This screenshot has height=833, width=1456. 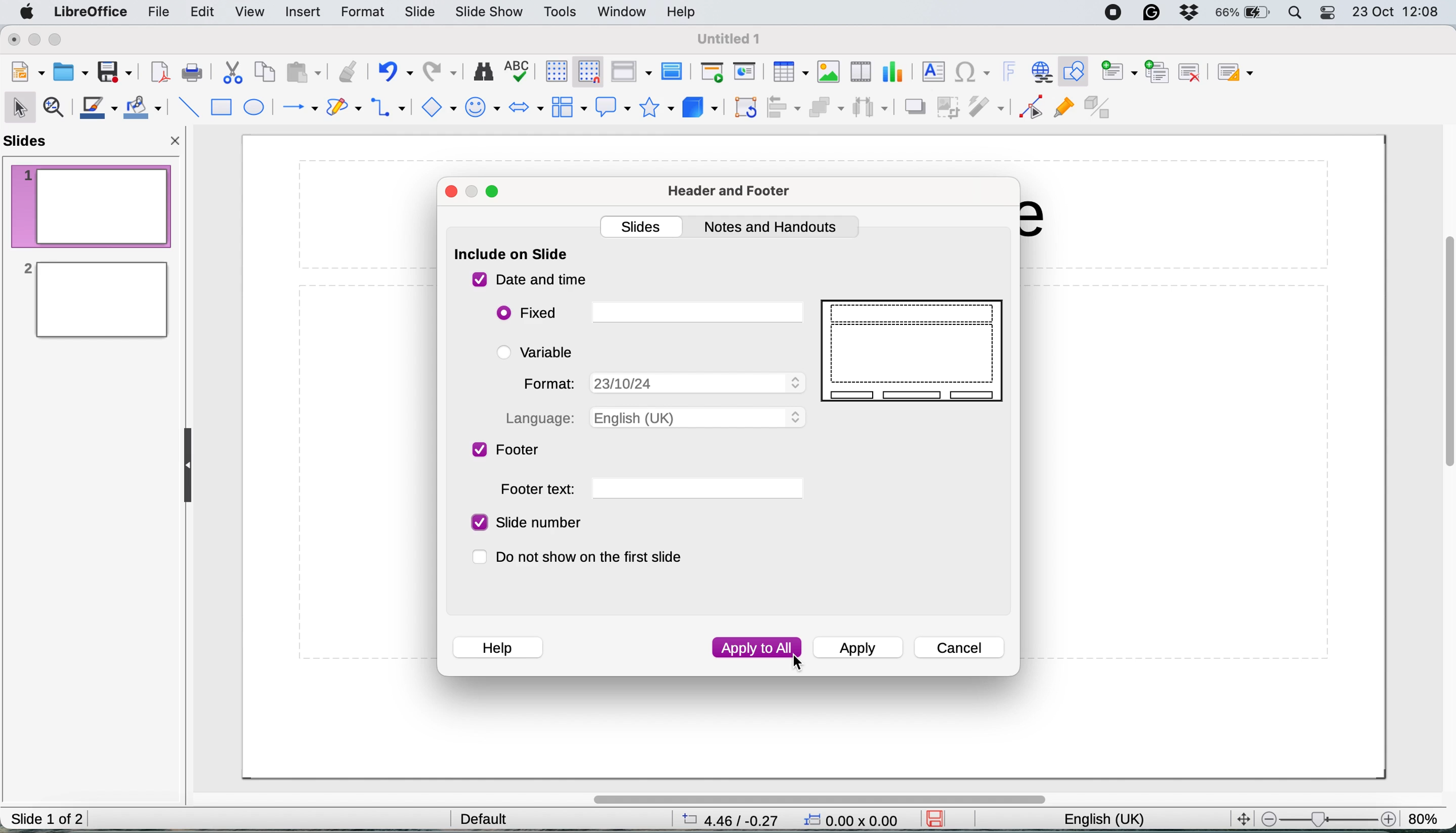 What do you see at coordinates (655, 108) in the screenshot?
I see `stars and banners` at bounding box center [655, 108].